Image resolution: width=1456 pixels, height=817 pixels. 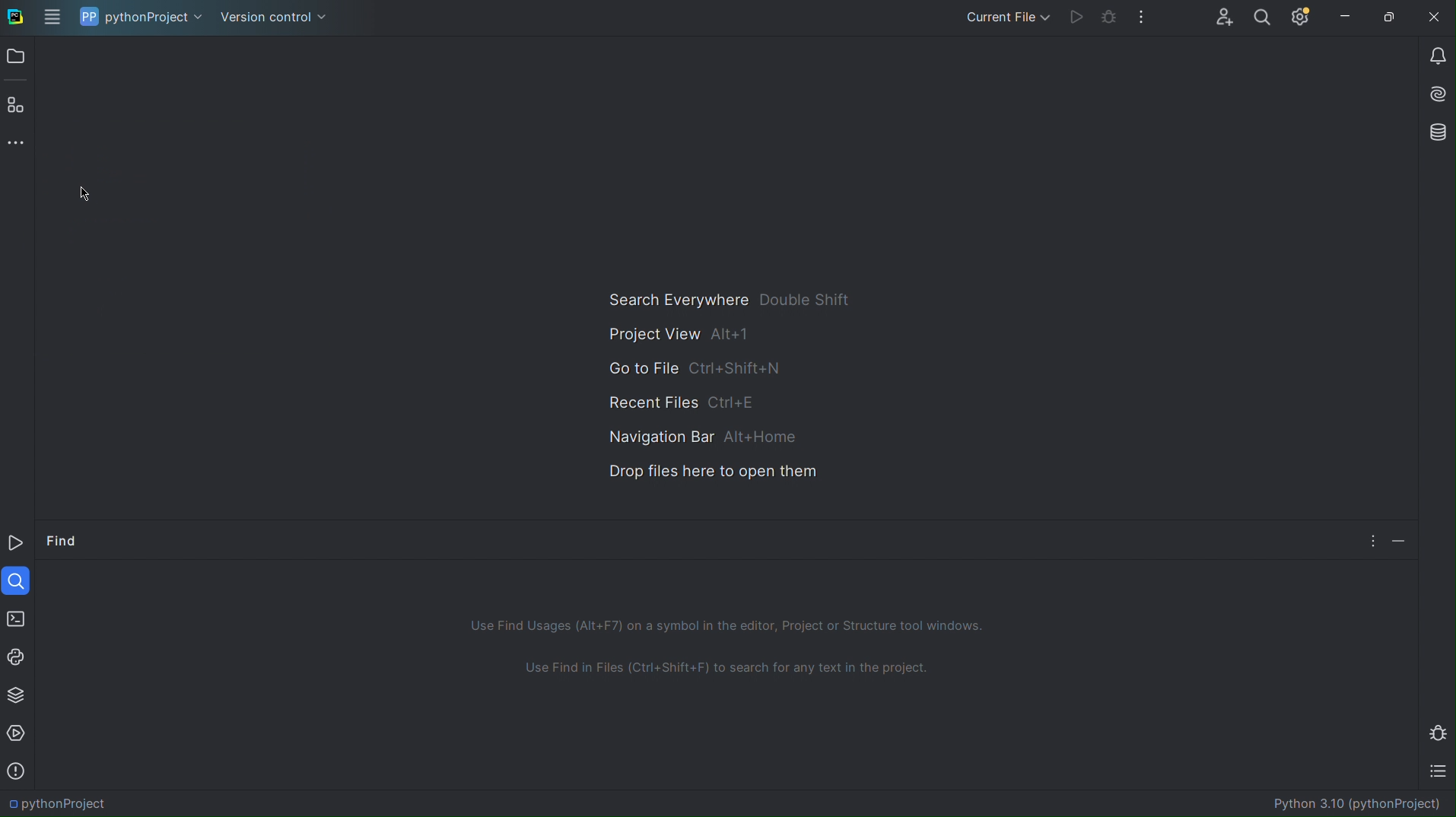 I want to click on Current File, so click(x=1004, y=19).